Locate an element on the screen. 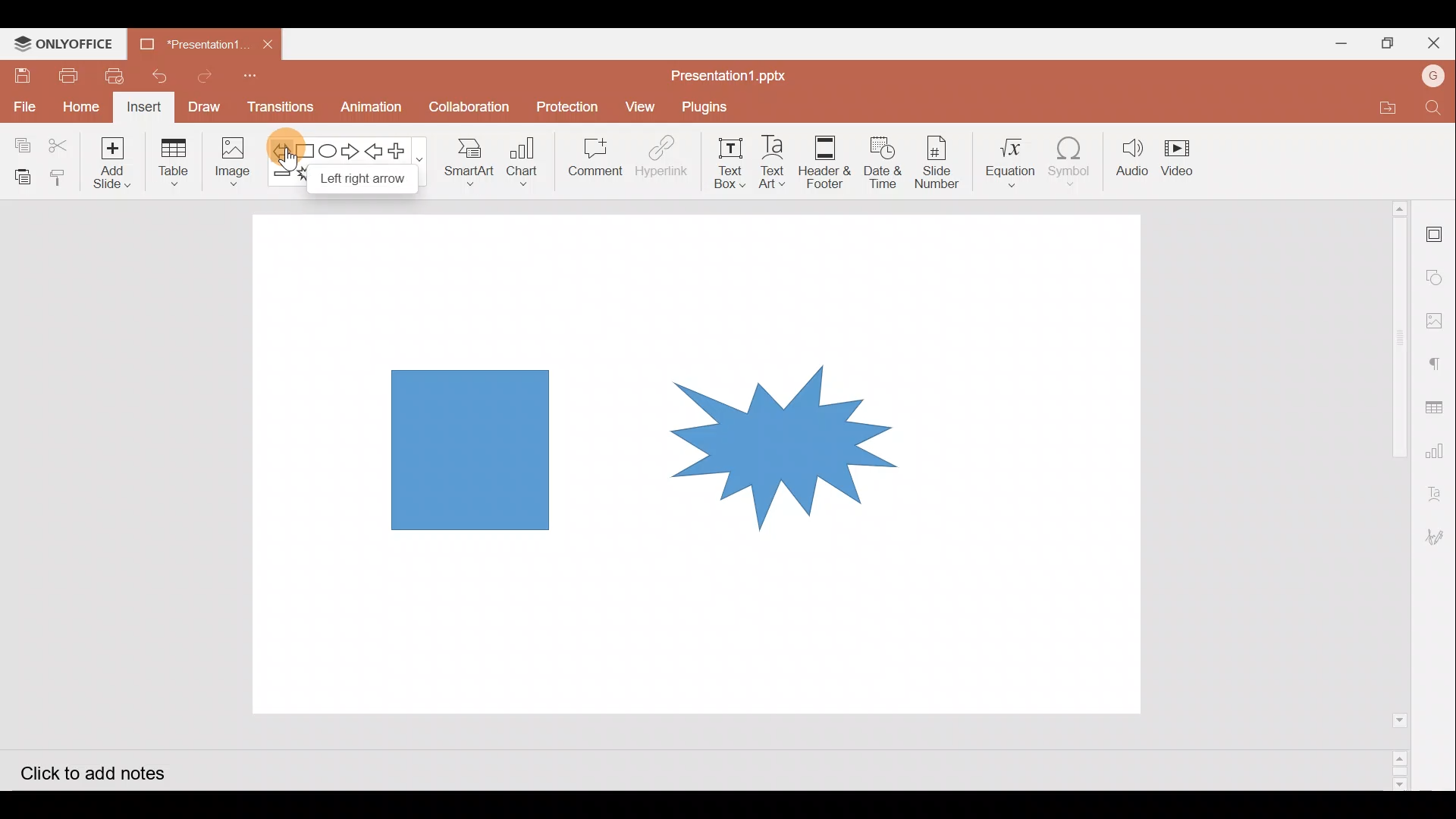 This screenshot has width=1456, height=819. Audio is located at coordinates (1134, 158).